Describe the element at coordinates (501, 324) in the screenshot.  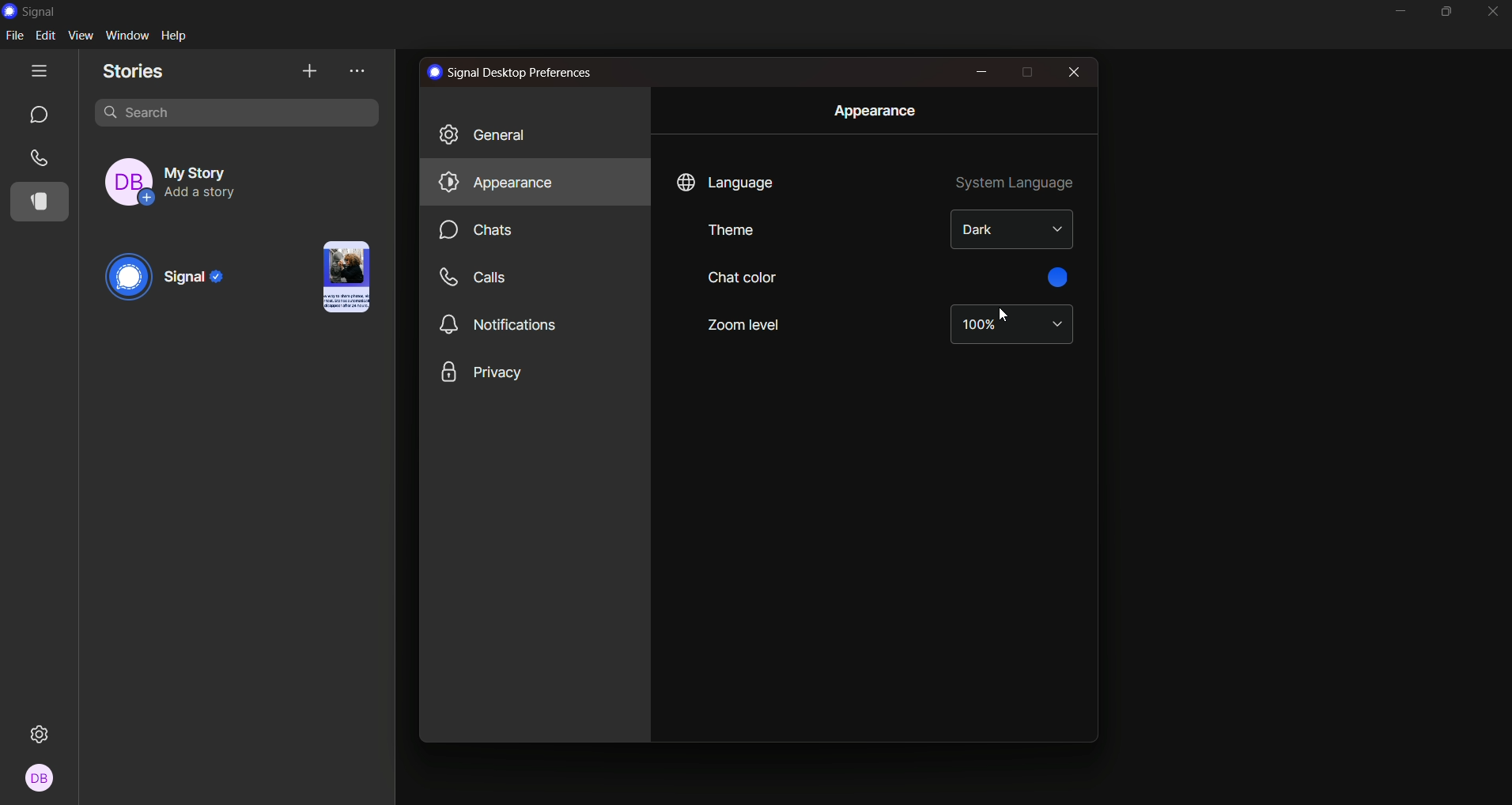
I see `notifications` at that location.